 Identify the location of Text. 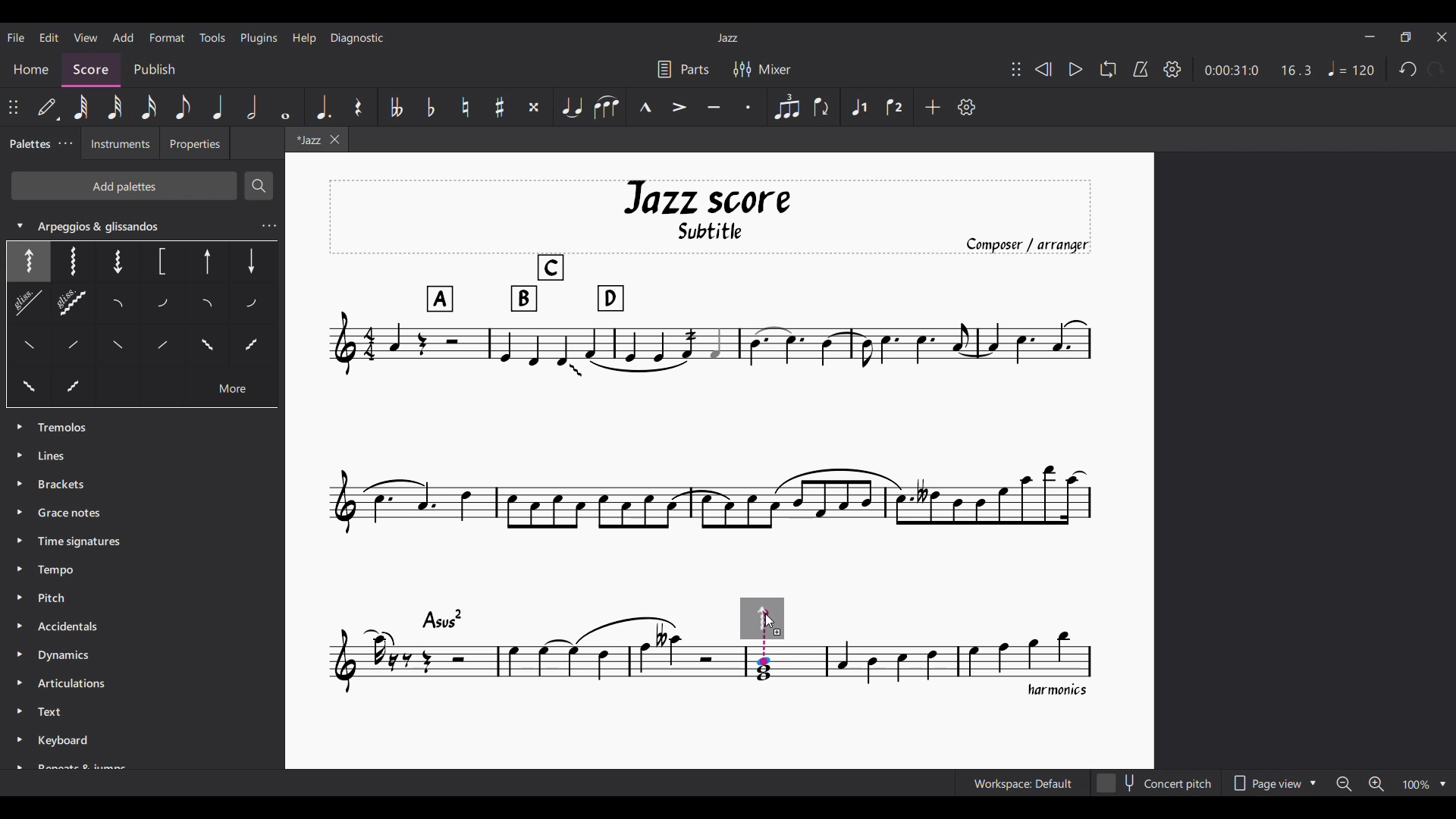
(55, 713).